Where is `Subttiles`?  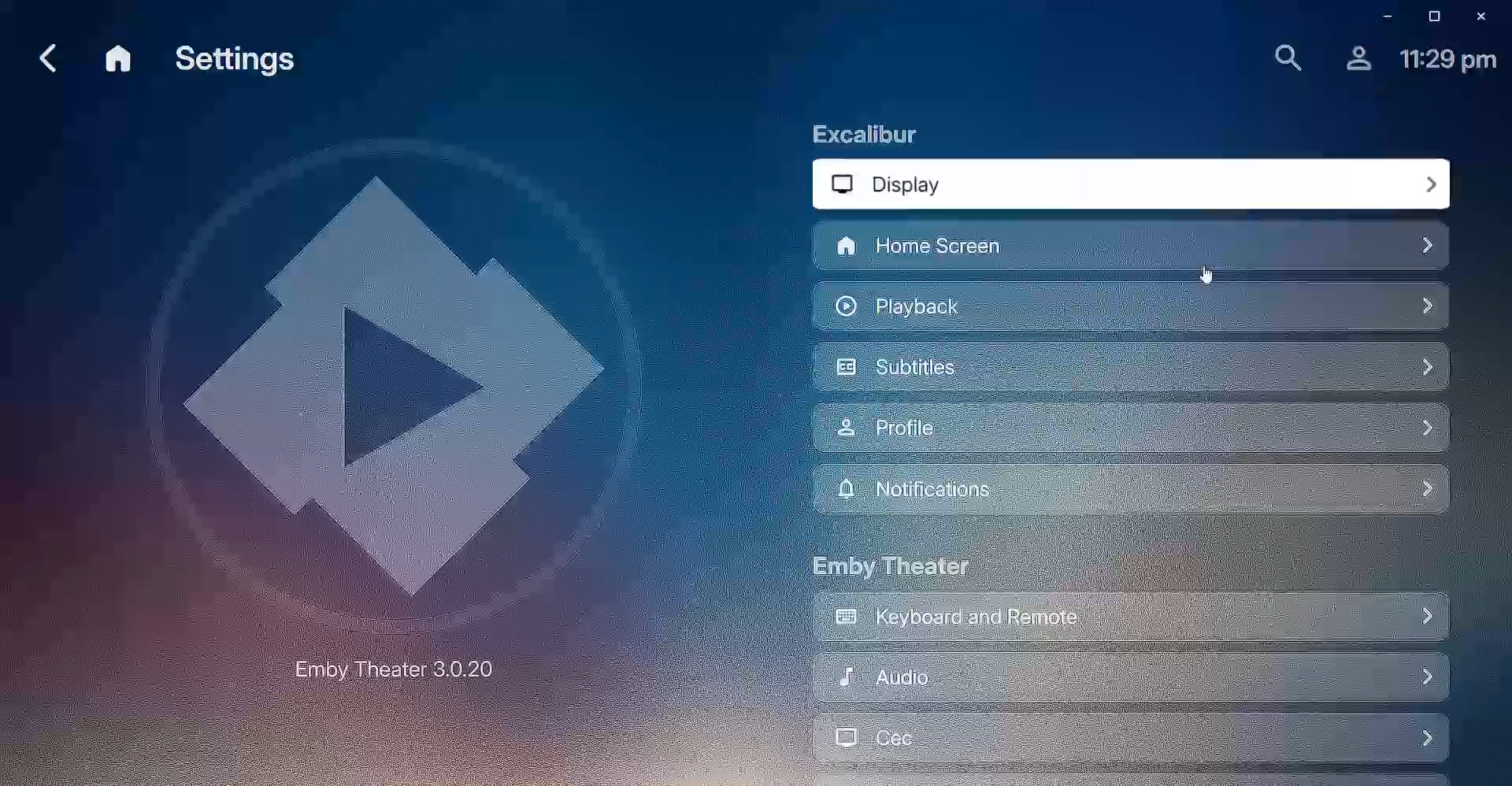 Subttiles is located at coordinates (1128, 368).